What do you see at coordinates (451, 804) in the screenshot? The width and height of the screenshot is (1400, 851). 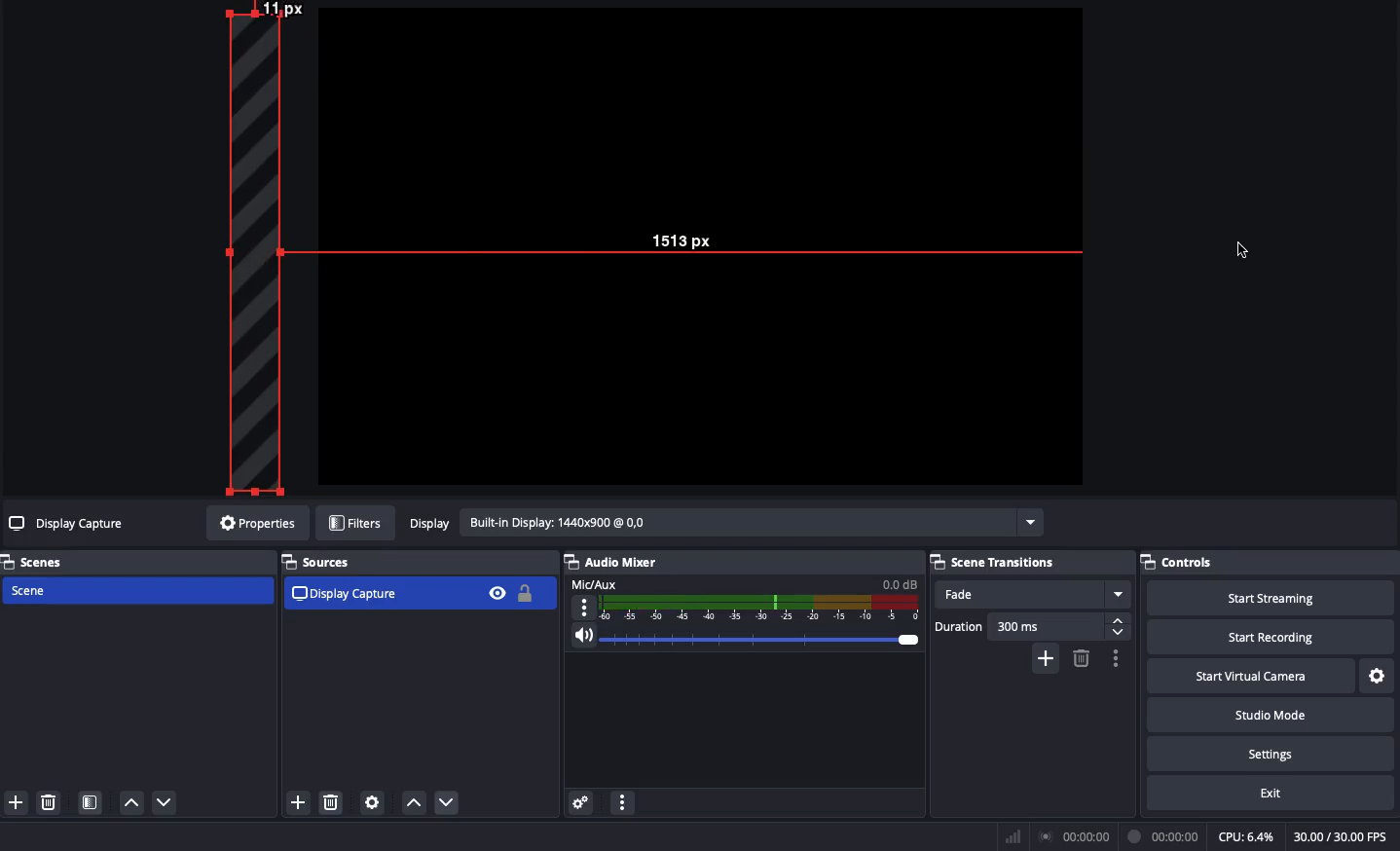 I see `Down` at bounding box center [451, 804].